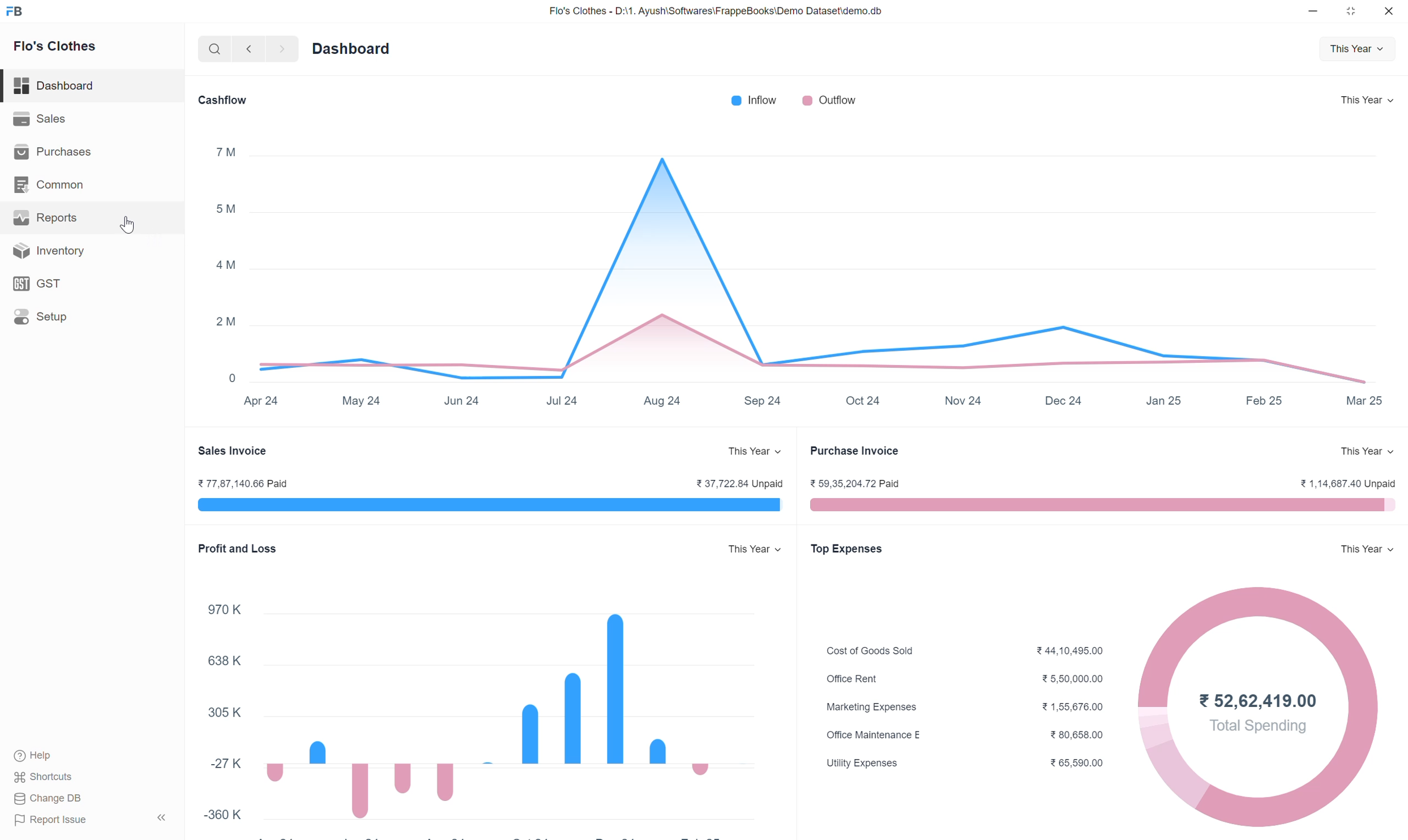 The width and height of the screenshot is (1408, 840). What do you see at coordinates (866, 765) in the screenshot?
I see `Utility Expenses` at bounding box center [866, 765].